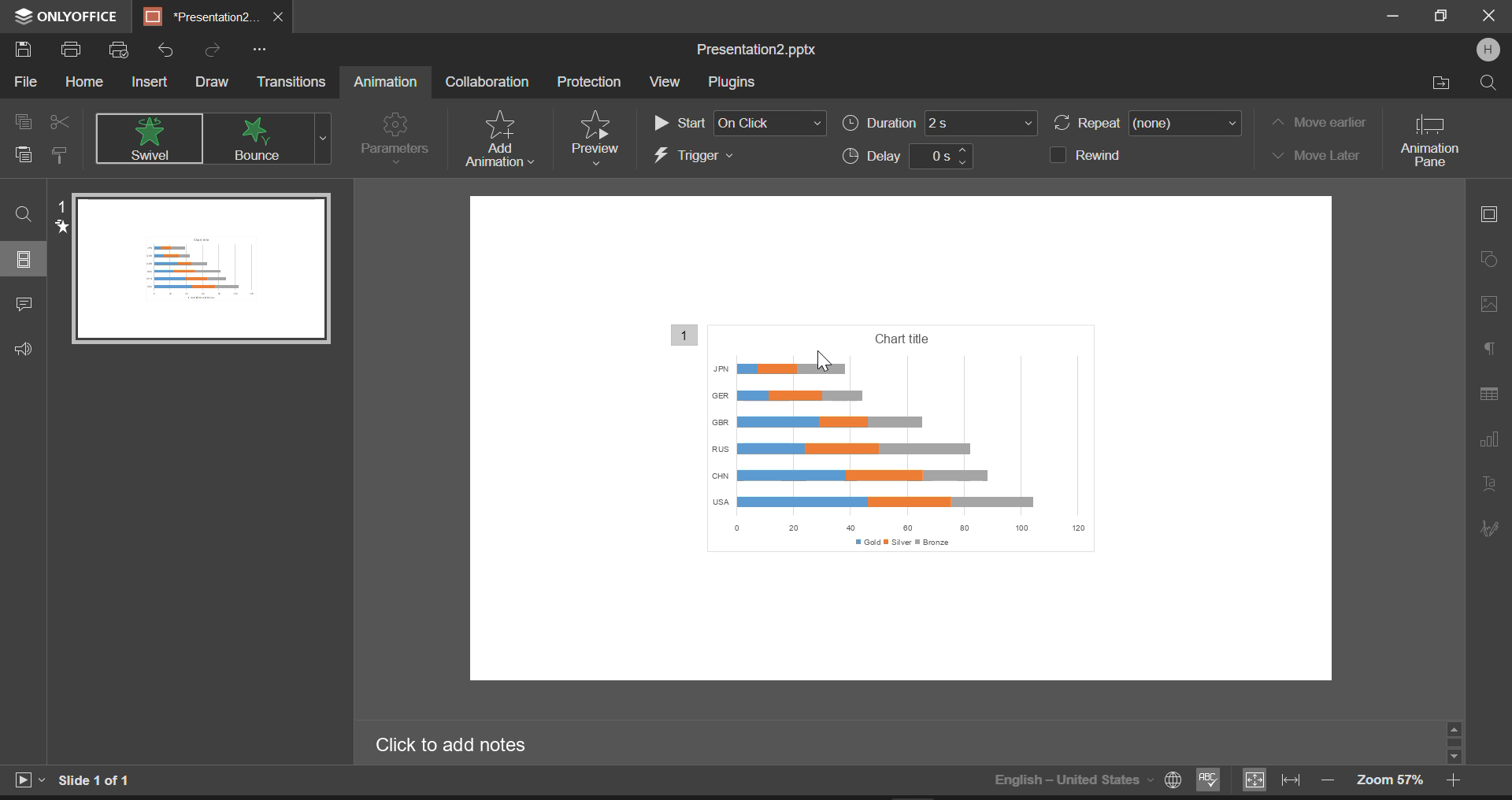 This screenshot has height=800, width=1512. I want to click on None, so click(151, 139).